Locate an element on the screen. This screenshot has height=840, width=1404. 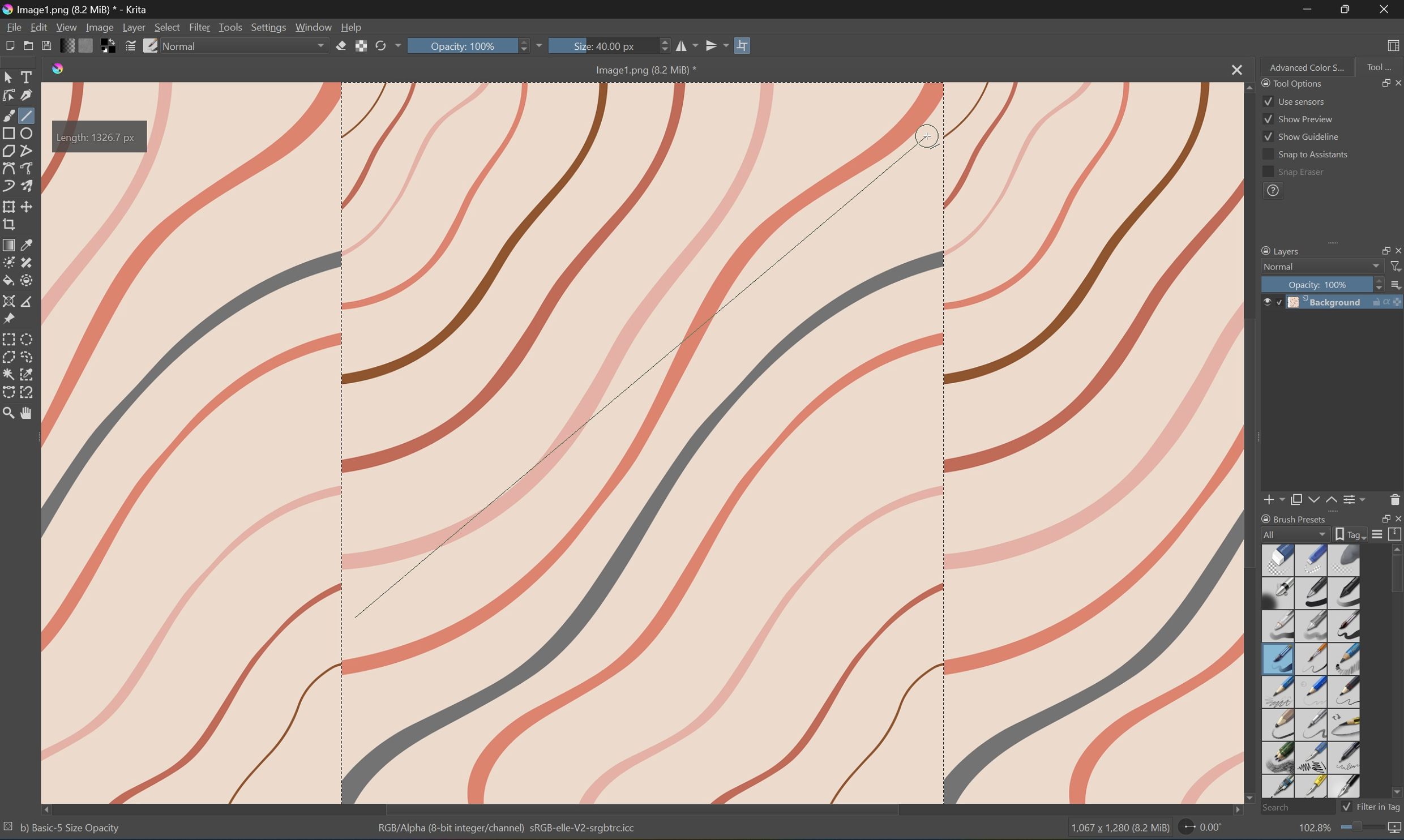
Opacity: 100% is located at coordinates (1319, 284).